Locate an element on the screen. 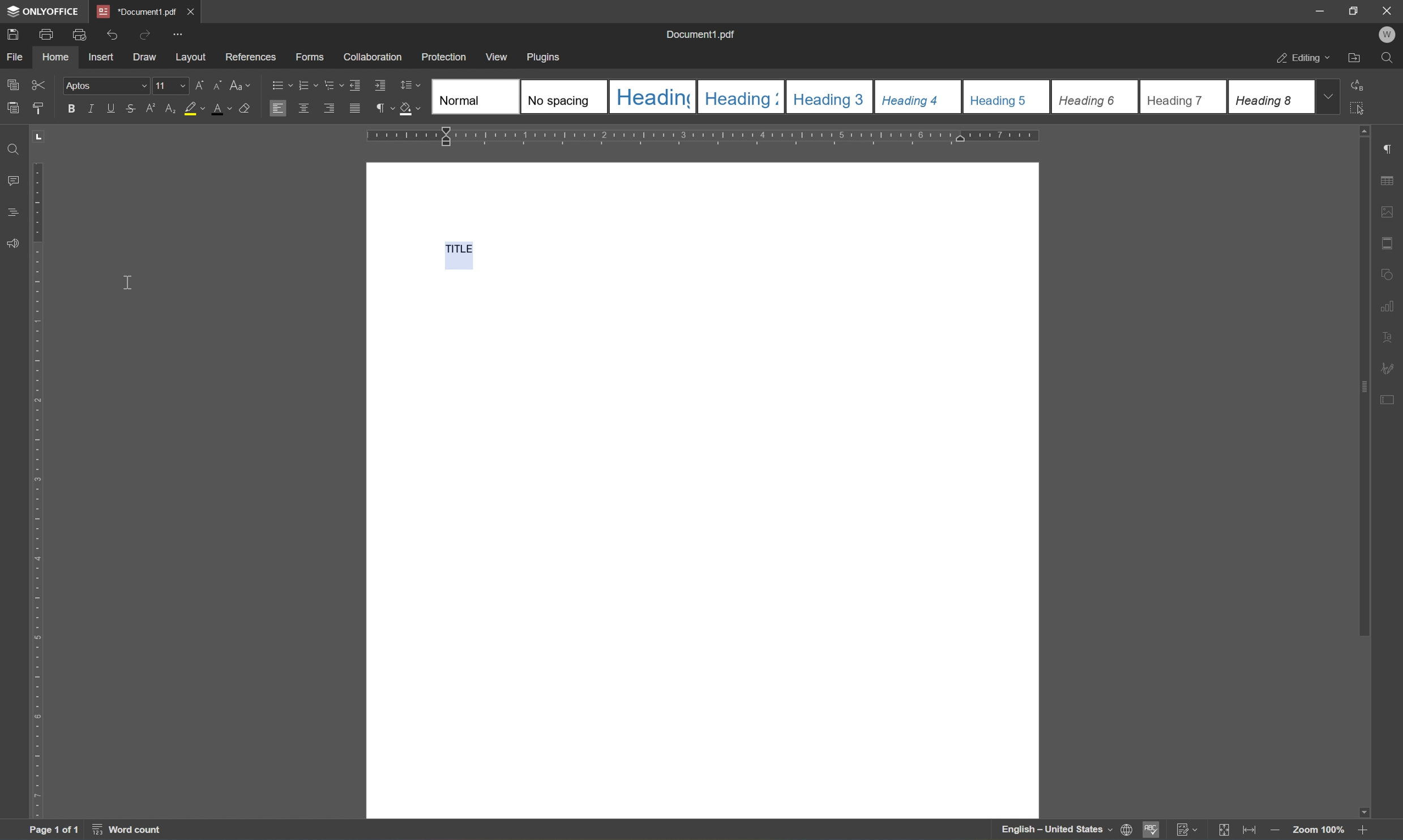 The height and width of the screenshot is (840, 1403). line spacing is located at coordinates (408, 85).